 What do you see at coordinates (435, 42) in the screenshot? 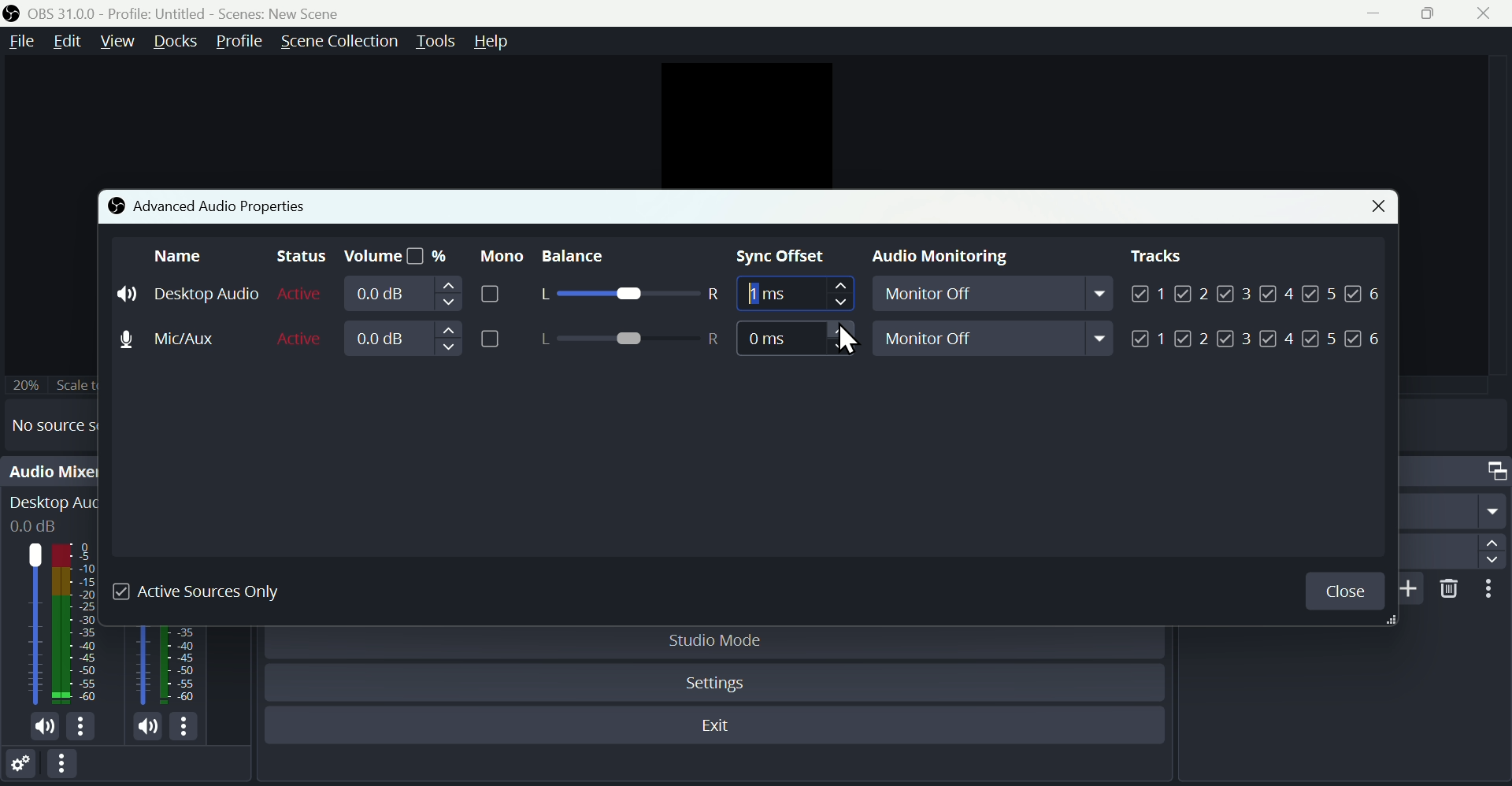
I see `Tools` at bounding box center [435, 42].